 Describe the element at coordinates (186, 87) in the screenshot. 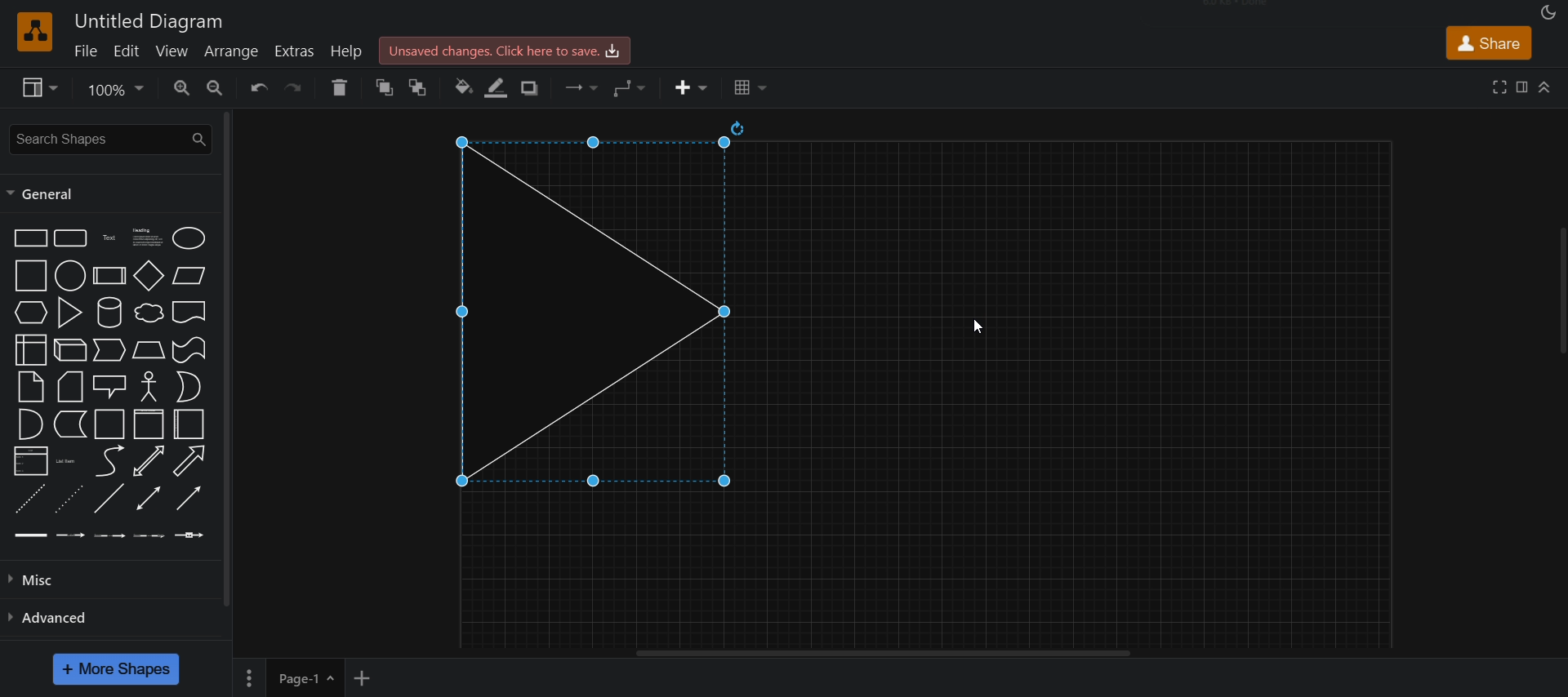

I see `zoom in` at that location.